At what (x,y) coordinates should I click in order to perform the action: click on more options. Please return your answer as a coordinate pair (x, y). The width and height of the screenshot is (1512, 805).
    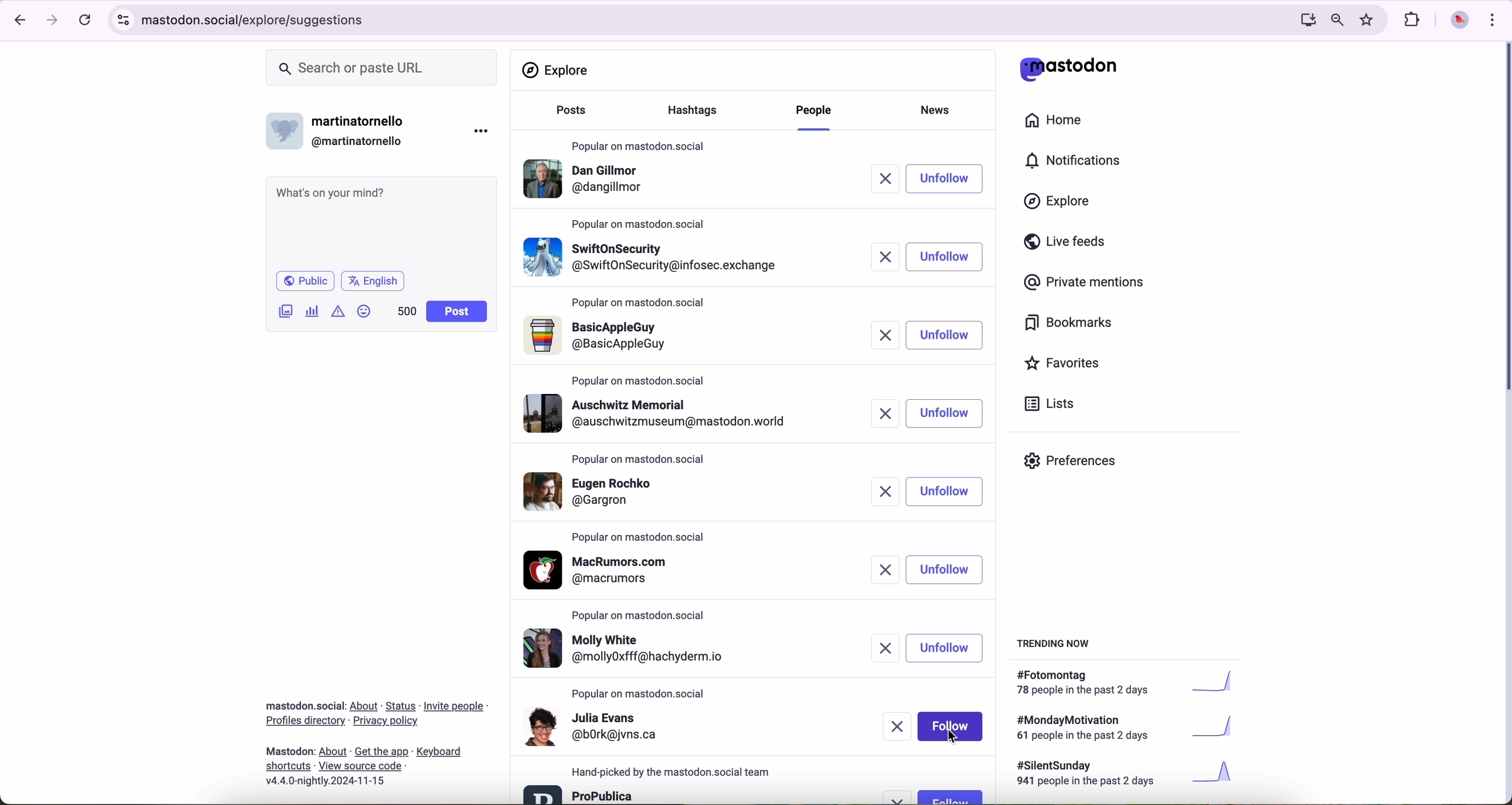
    Looking at the image, I should click on (484, 130).